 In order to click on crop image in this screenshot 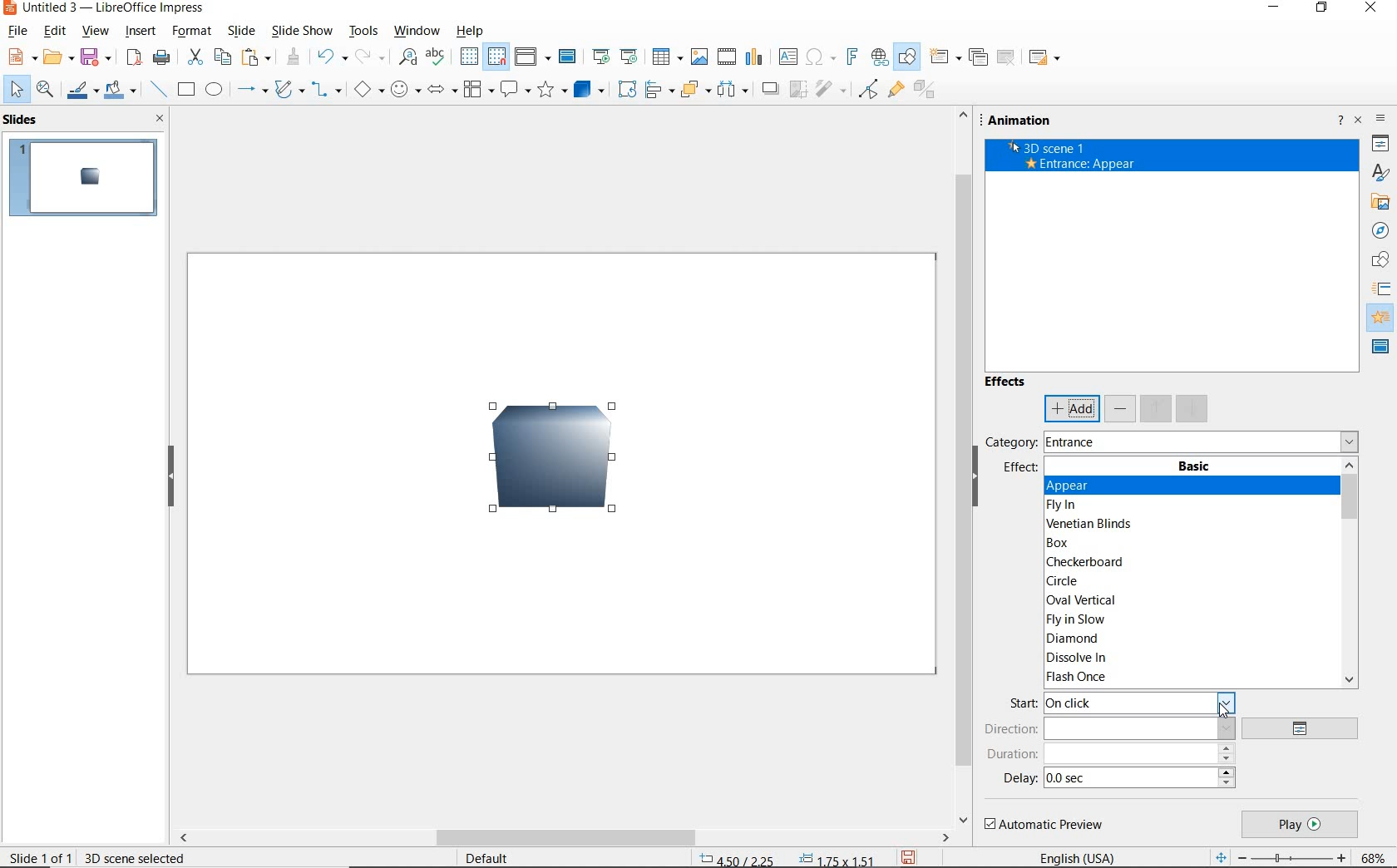, I will do `click(799, 87)`.